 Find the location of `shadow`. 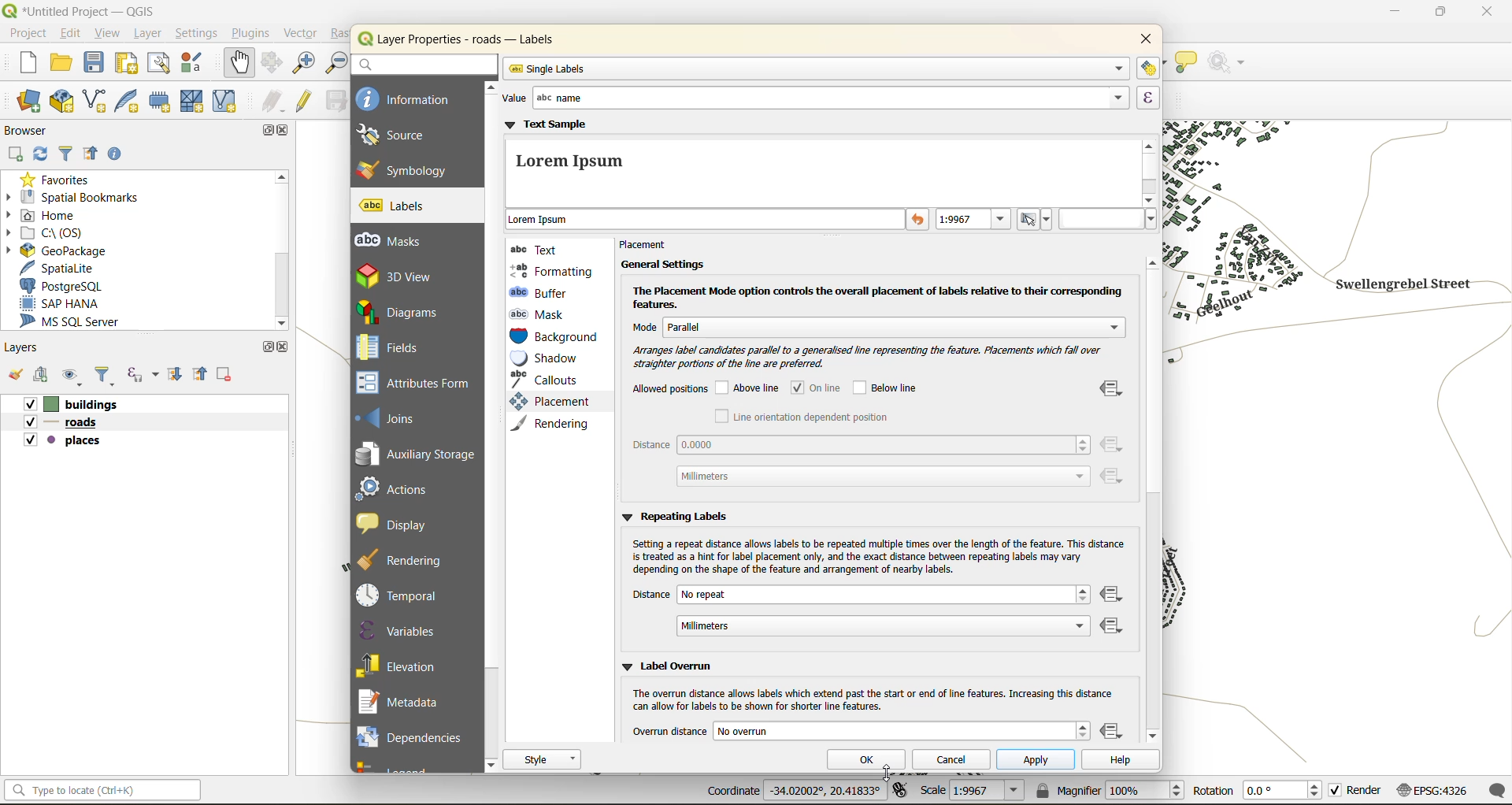

shadow is located at coordinates (554, 358).